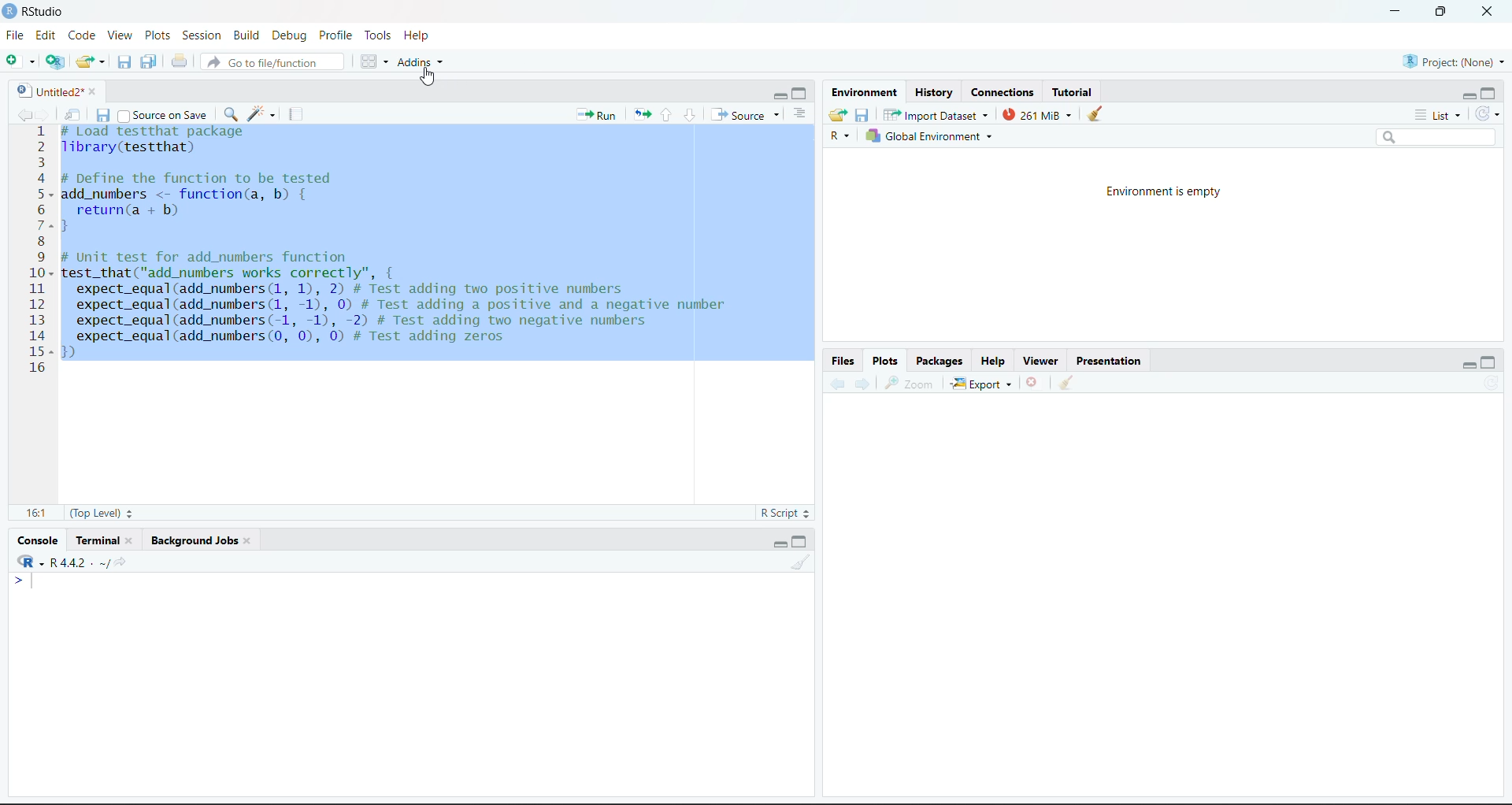 The image size is (1512, 805). What do you see at coordinates (1039, 362) in the screenshot?
I see `Viewer` at bounding box center [1039, 362].